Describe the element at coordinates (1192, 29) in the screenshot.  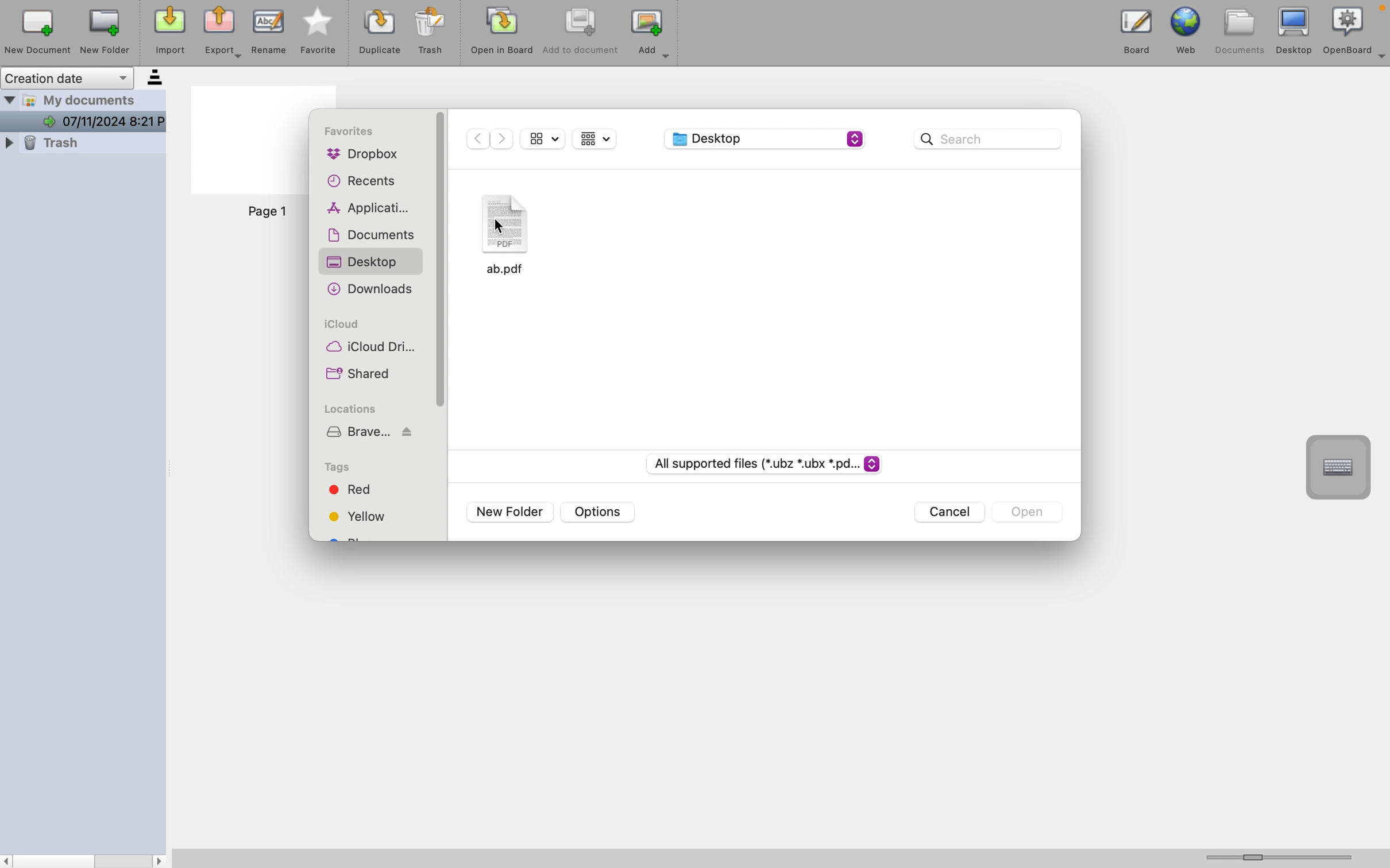
I see `web` at that location.